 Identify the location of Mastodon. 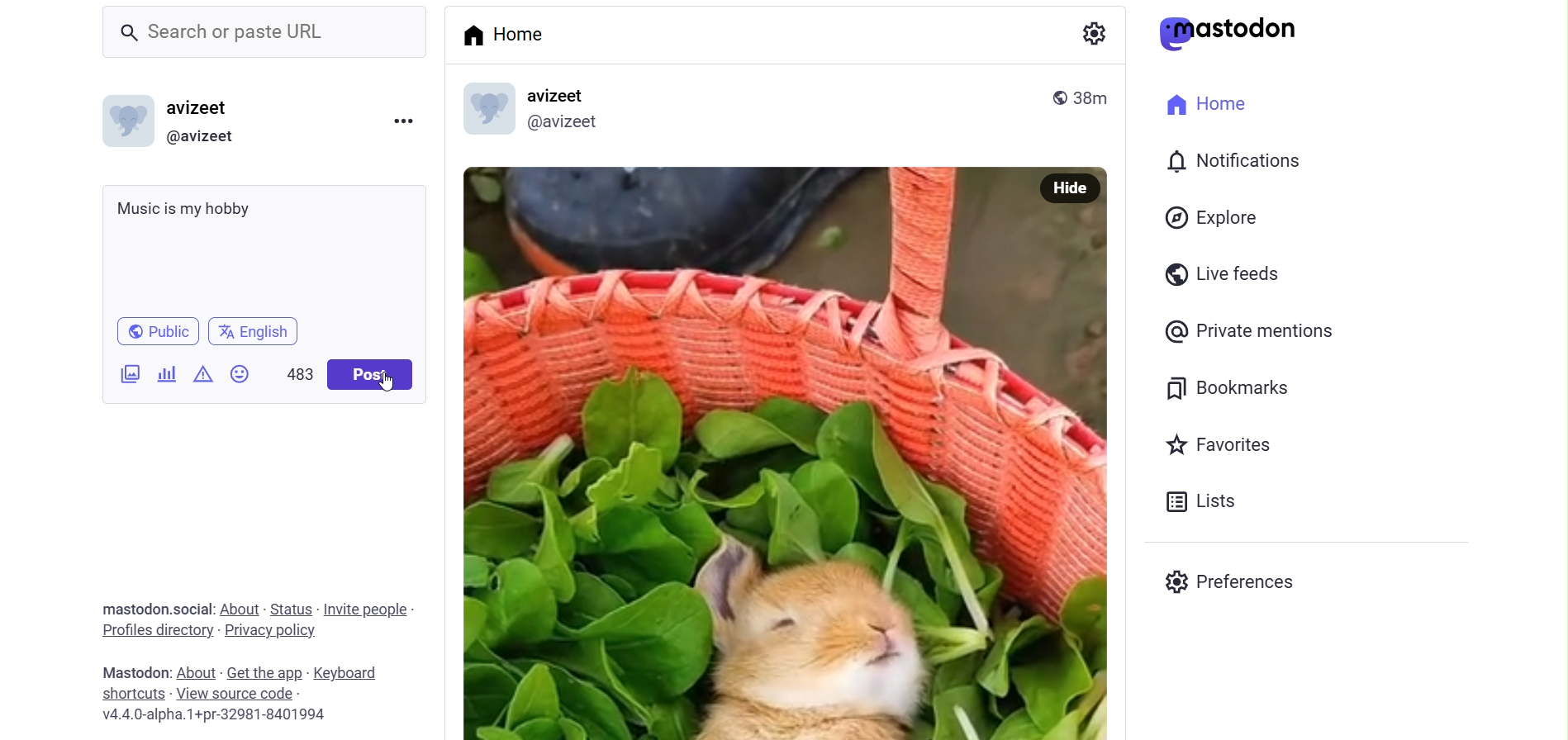
(1228, 33).